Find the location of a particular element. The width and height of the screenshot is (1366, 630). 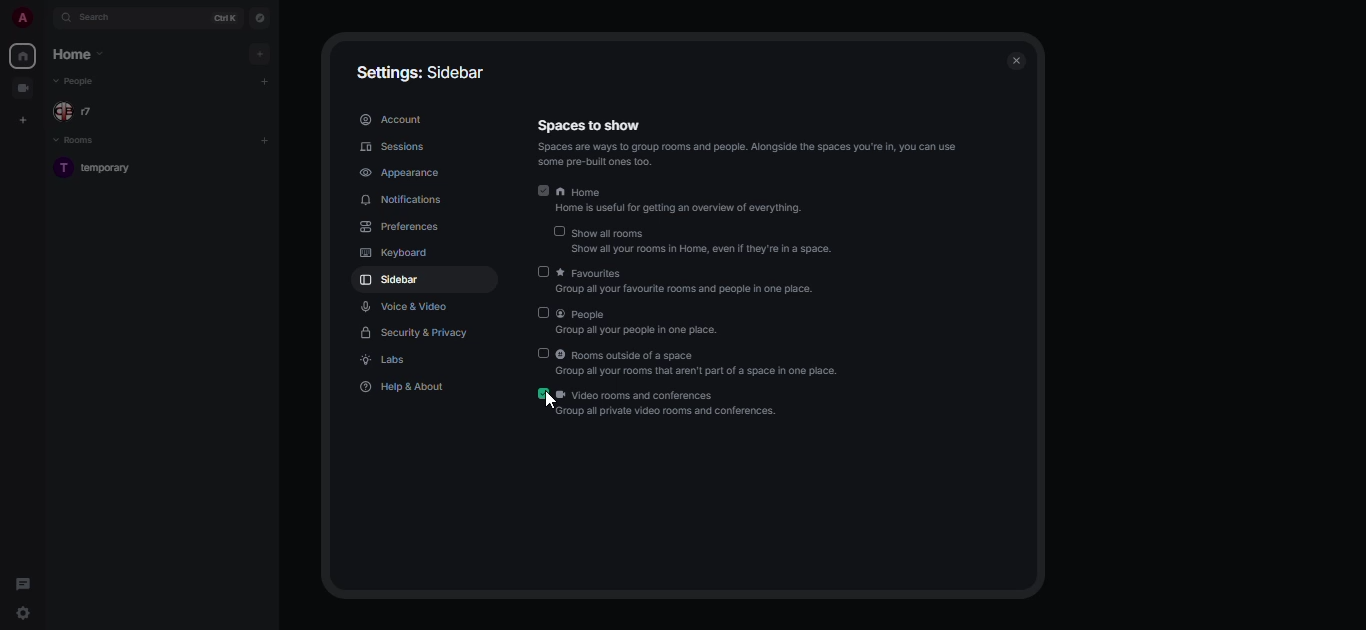

search is located at coordinates (100, 18).